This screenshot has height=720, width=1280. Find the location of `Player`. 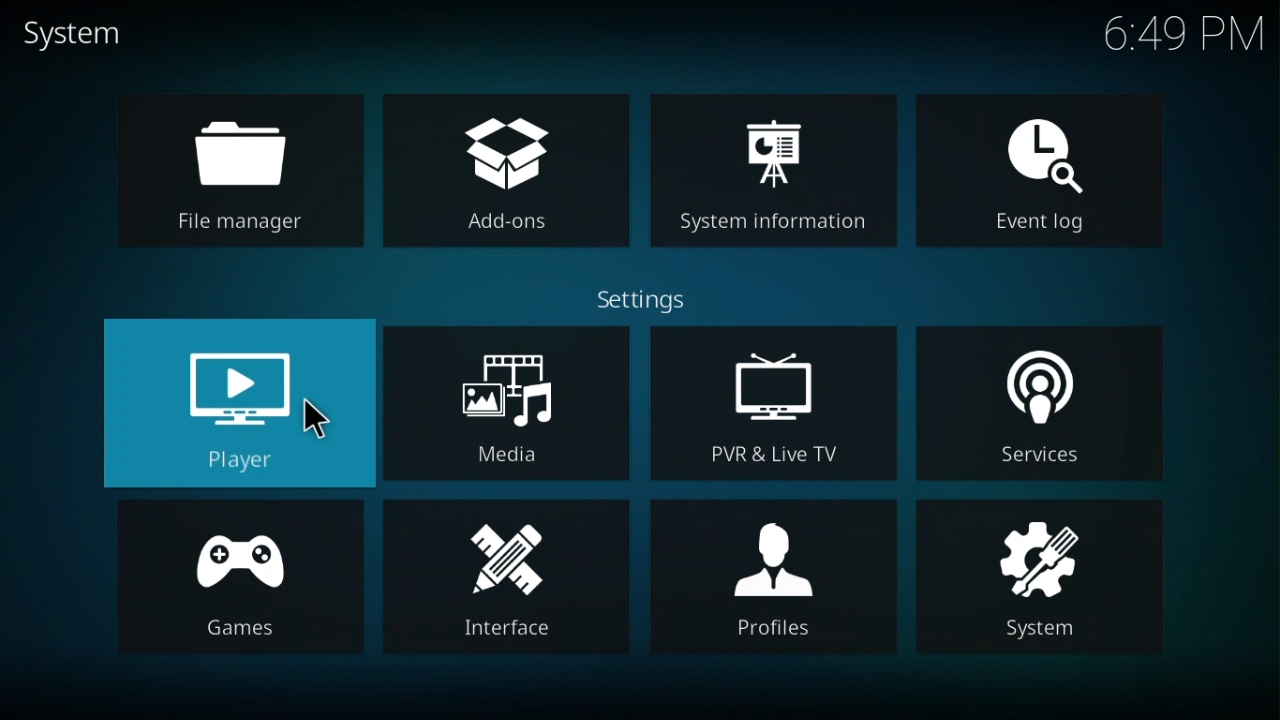

Player is located at coordinates (232, 402).